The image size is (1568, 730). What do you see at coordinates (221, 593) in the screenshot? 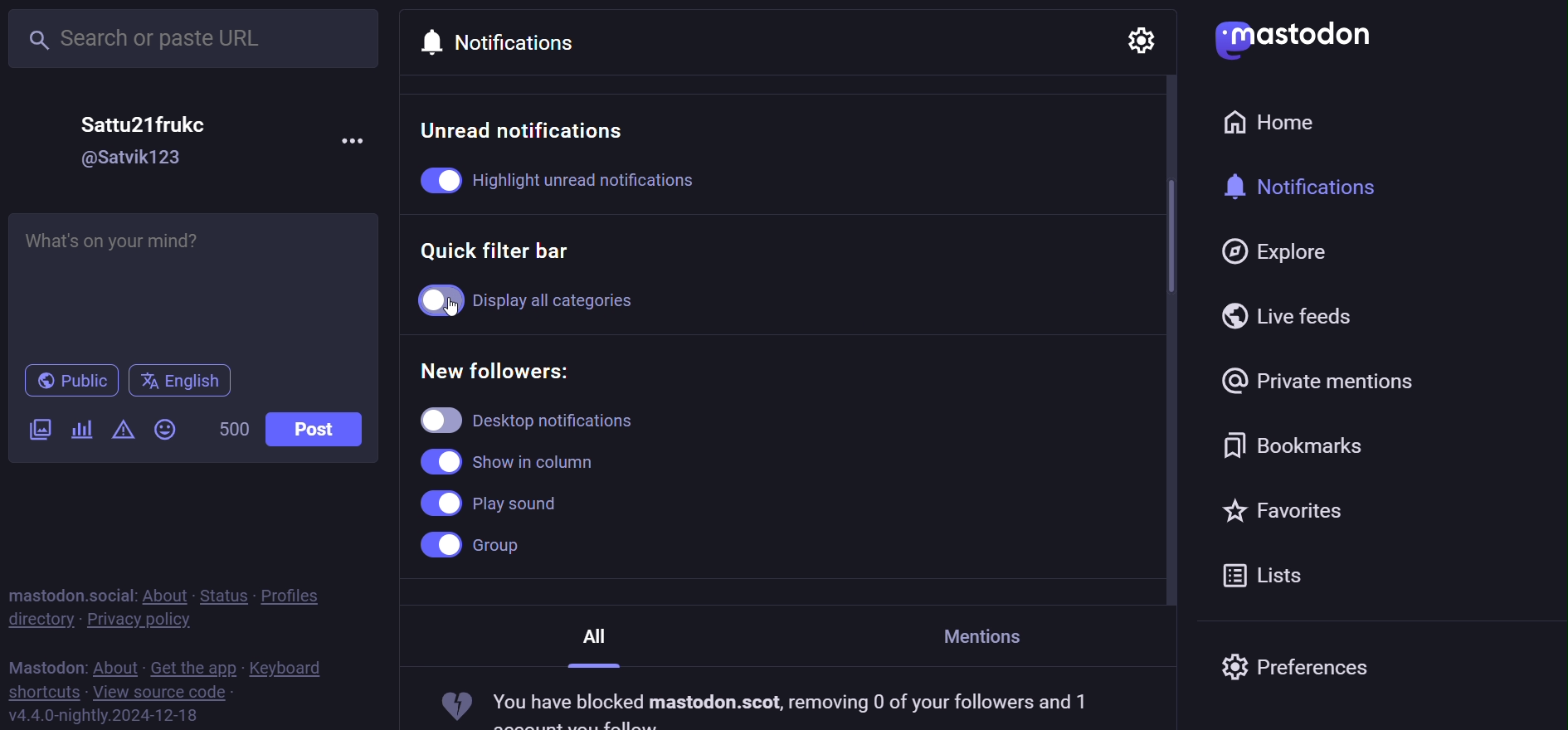
I see `status` at bounding box center [221, 593].